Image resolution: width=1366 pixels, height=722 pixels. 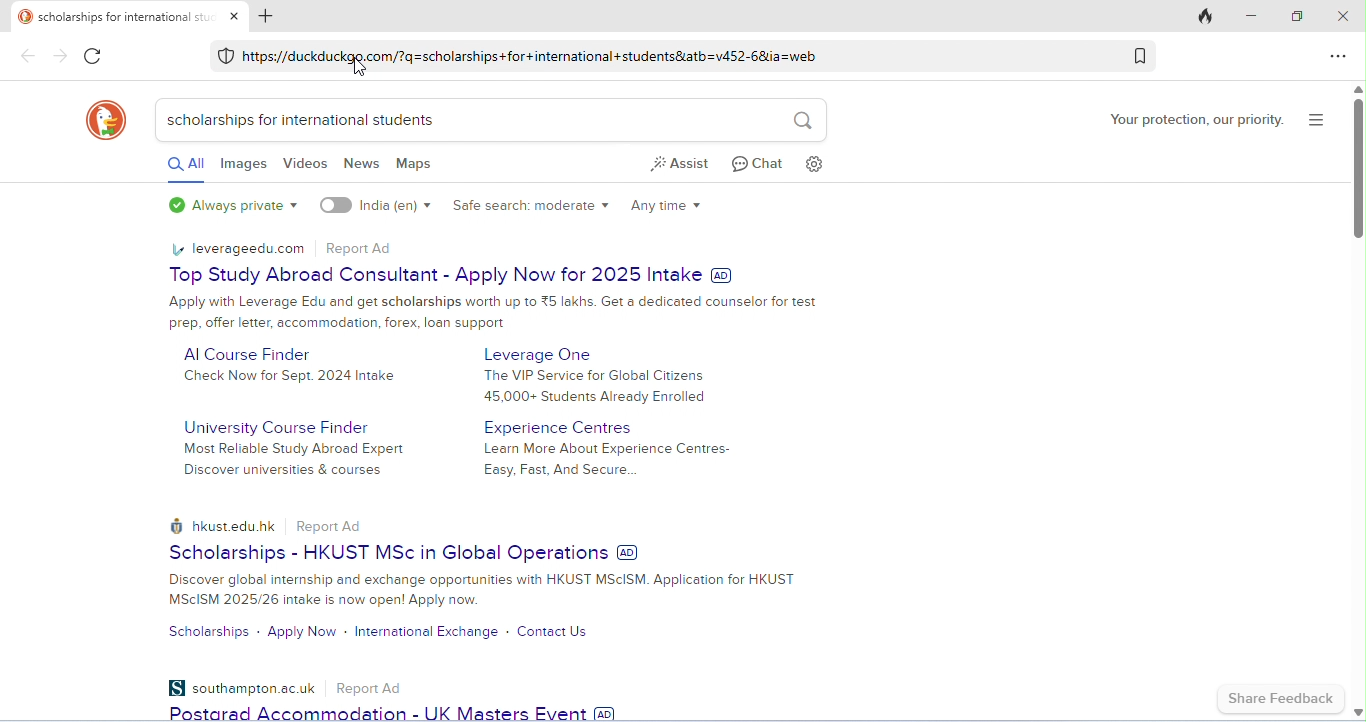 I want to click on safe search engine: moderate, so click(x=532, y=205).